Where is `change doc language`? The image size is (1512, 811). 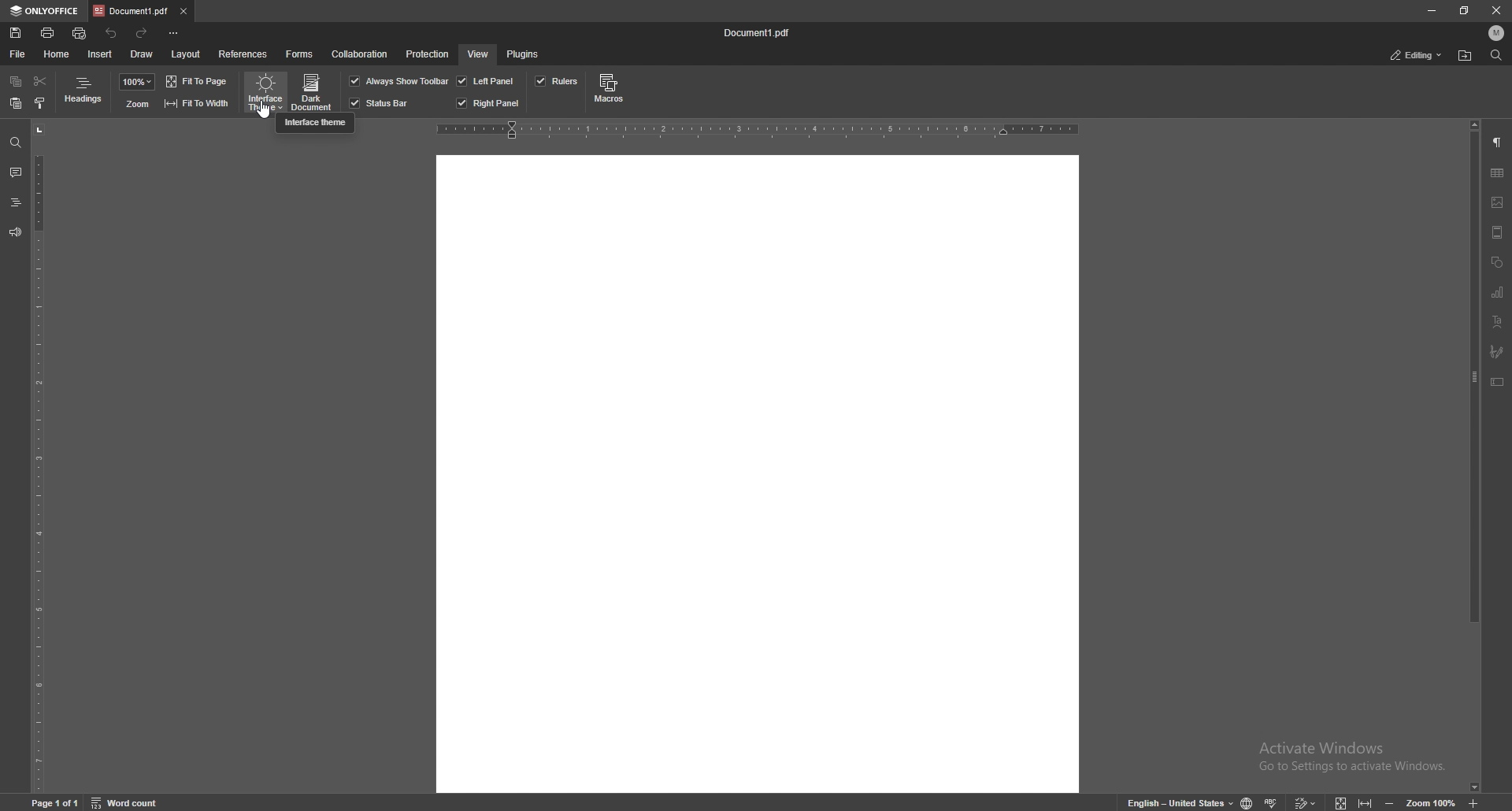
change doc language is located at coordinates (1248, 802).